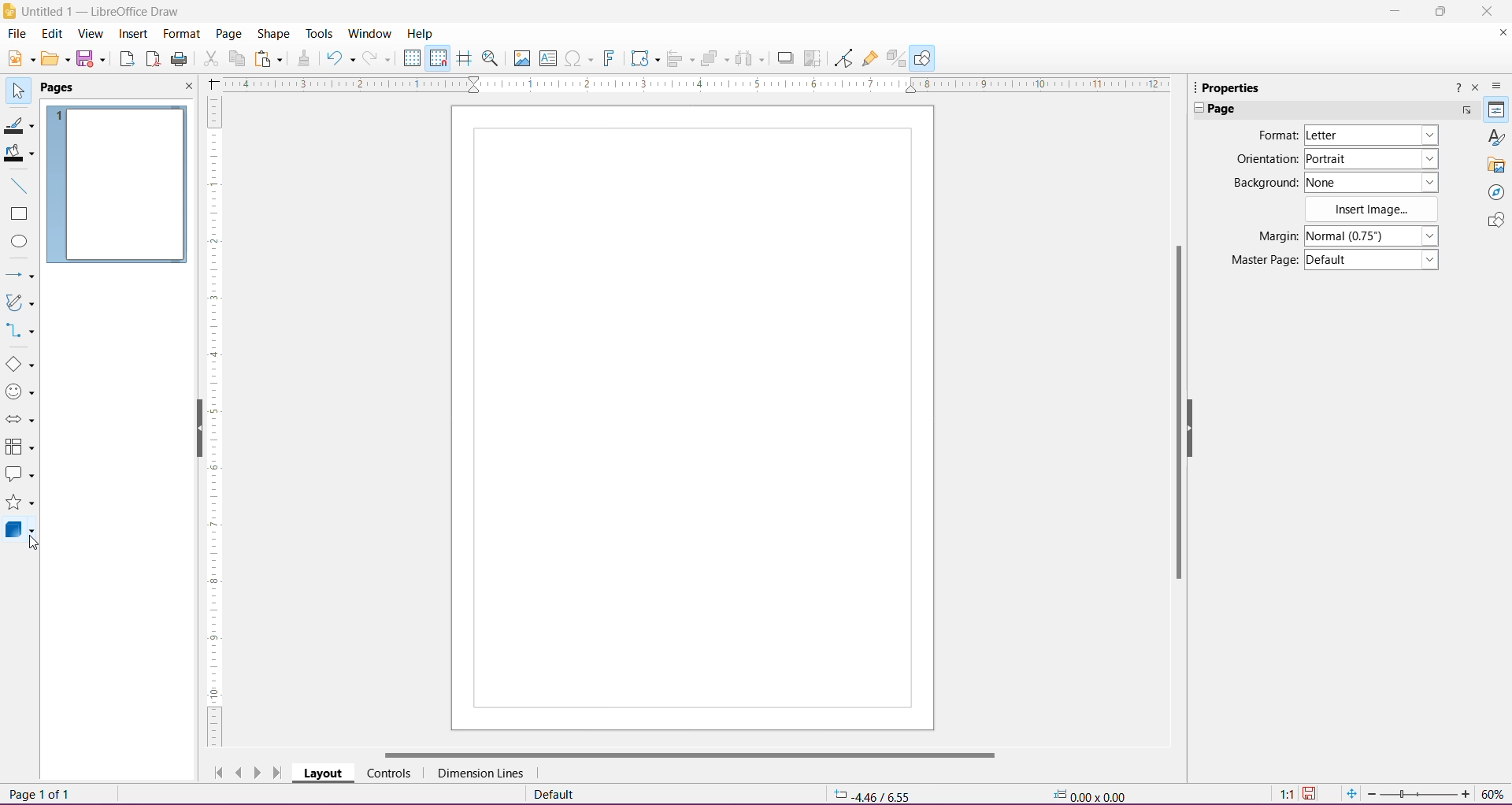 The width and height of the screenshot is (1512, 805). What do you see at coordinates (43, 547) in the screenshot?
I see `cursor` at bounding box center [43, 547].